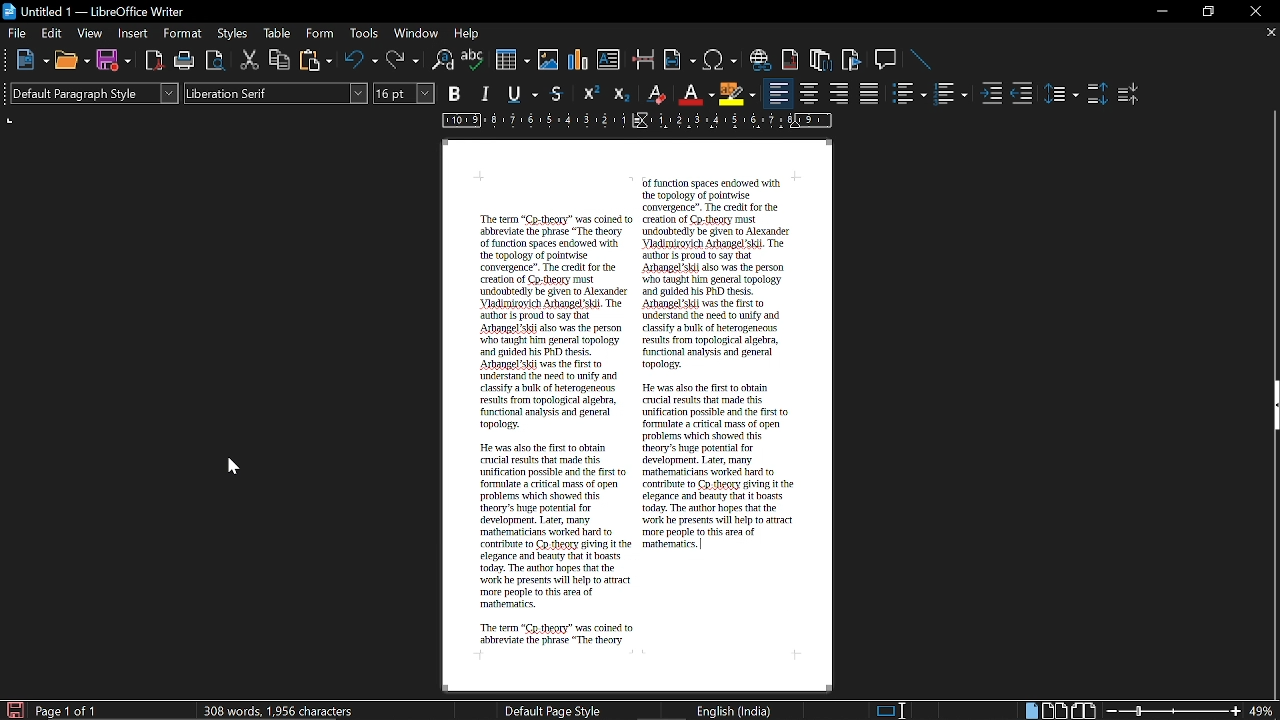  I want to click on Window, so click(415, 33).